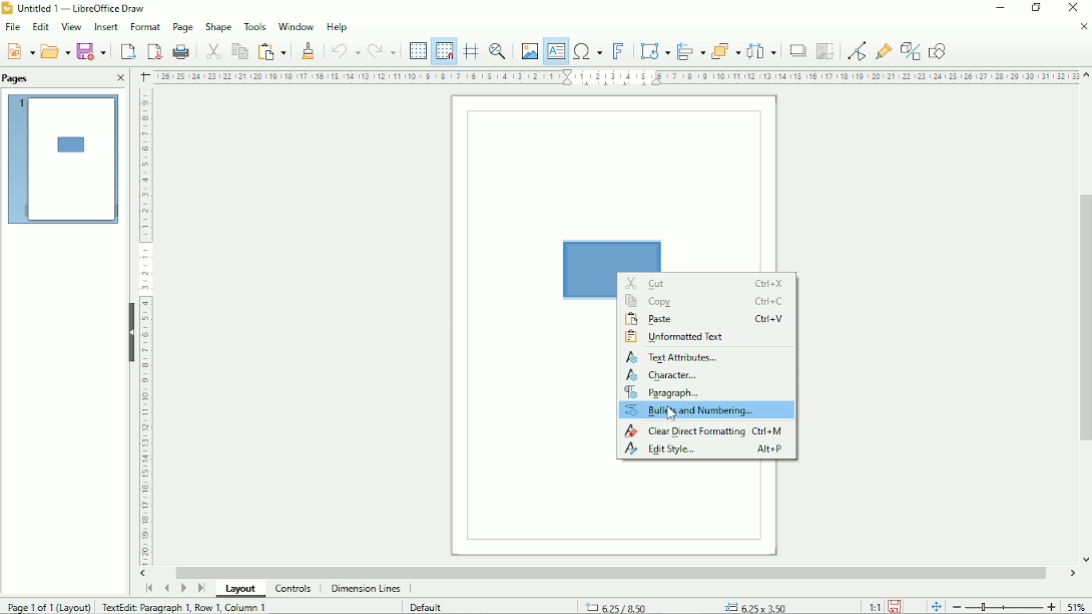 This screenshot has width=1092, height=614. What do you see at coordinates (763, 51) in the screenshot?
I see `Distribute` at bounding box center [763, 51].